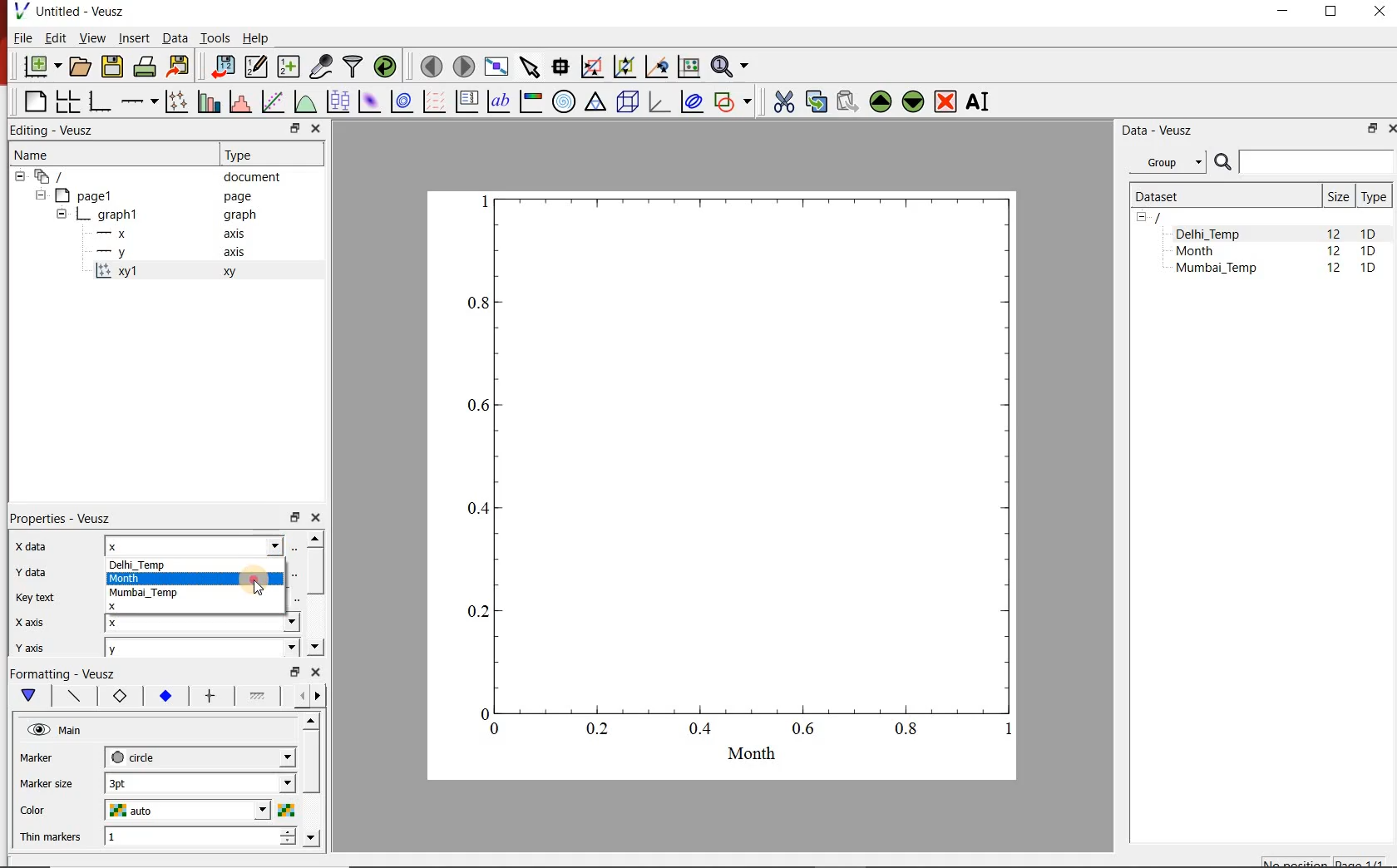 This screenshot has height=868, width=1397. What do you see at coordinates (595, 103) in the screenshot?
I see `Ternary graph` at bounding box center [595, 103].